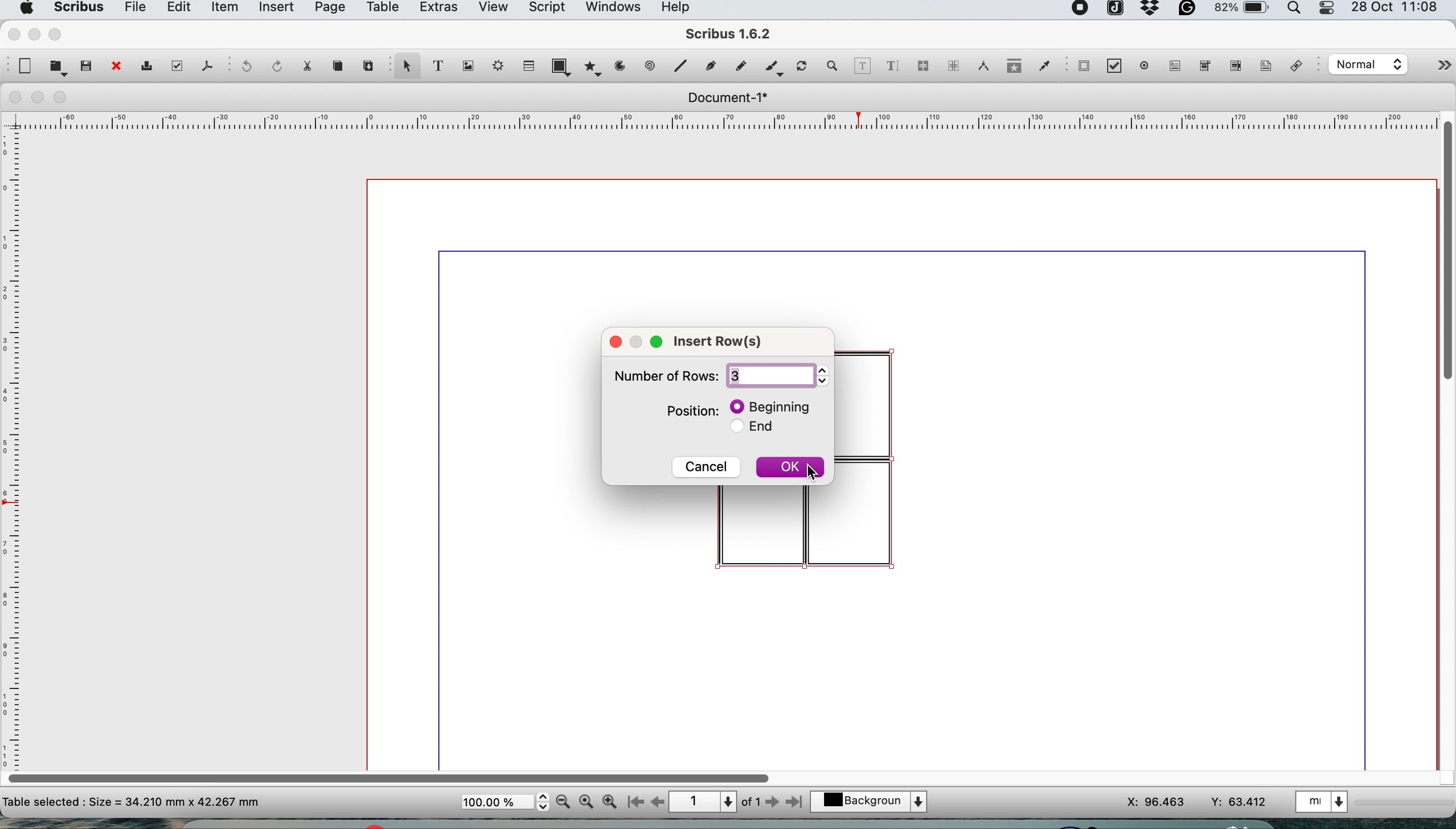 The width and height of the screenshot is (1456, 829). I want to click on link text frames, so click(922, 68).